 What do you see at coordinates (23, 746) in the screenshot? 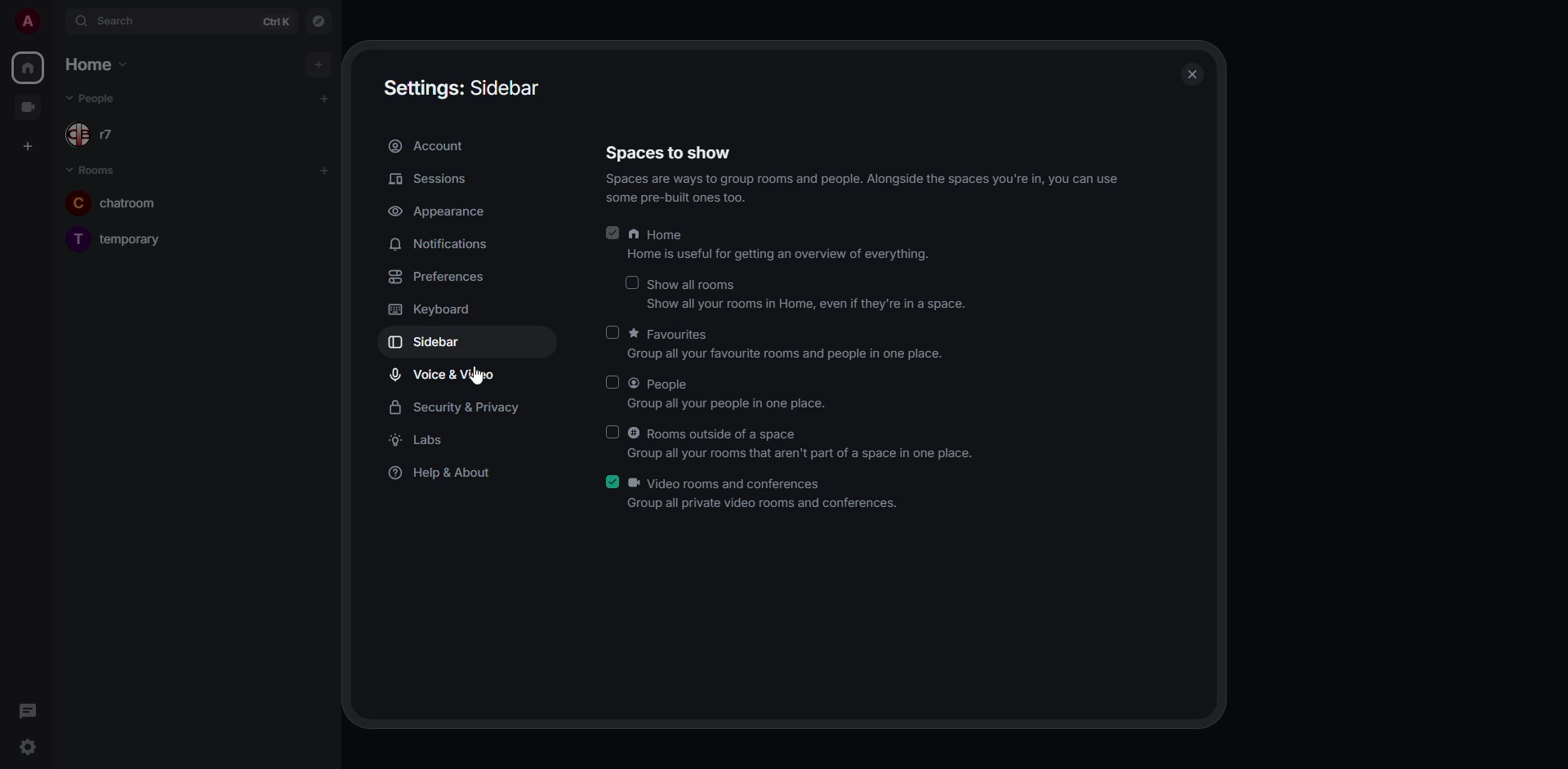
I see `quick settings` at bounding box center [23, 746].